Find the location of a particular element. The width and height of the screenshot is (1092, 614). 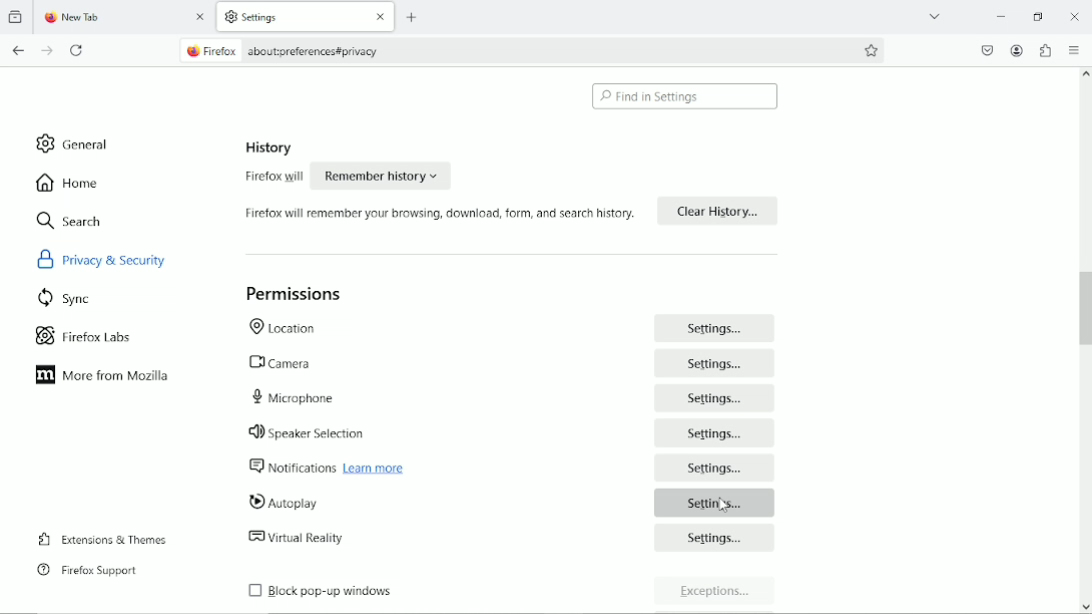

speaker selection is located at coordinates (369, 432).